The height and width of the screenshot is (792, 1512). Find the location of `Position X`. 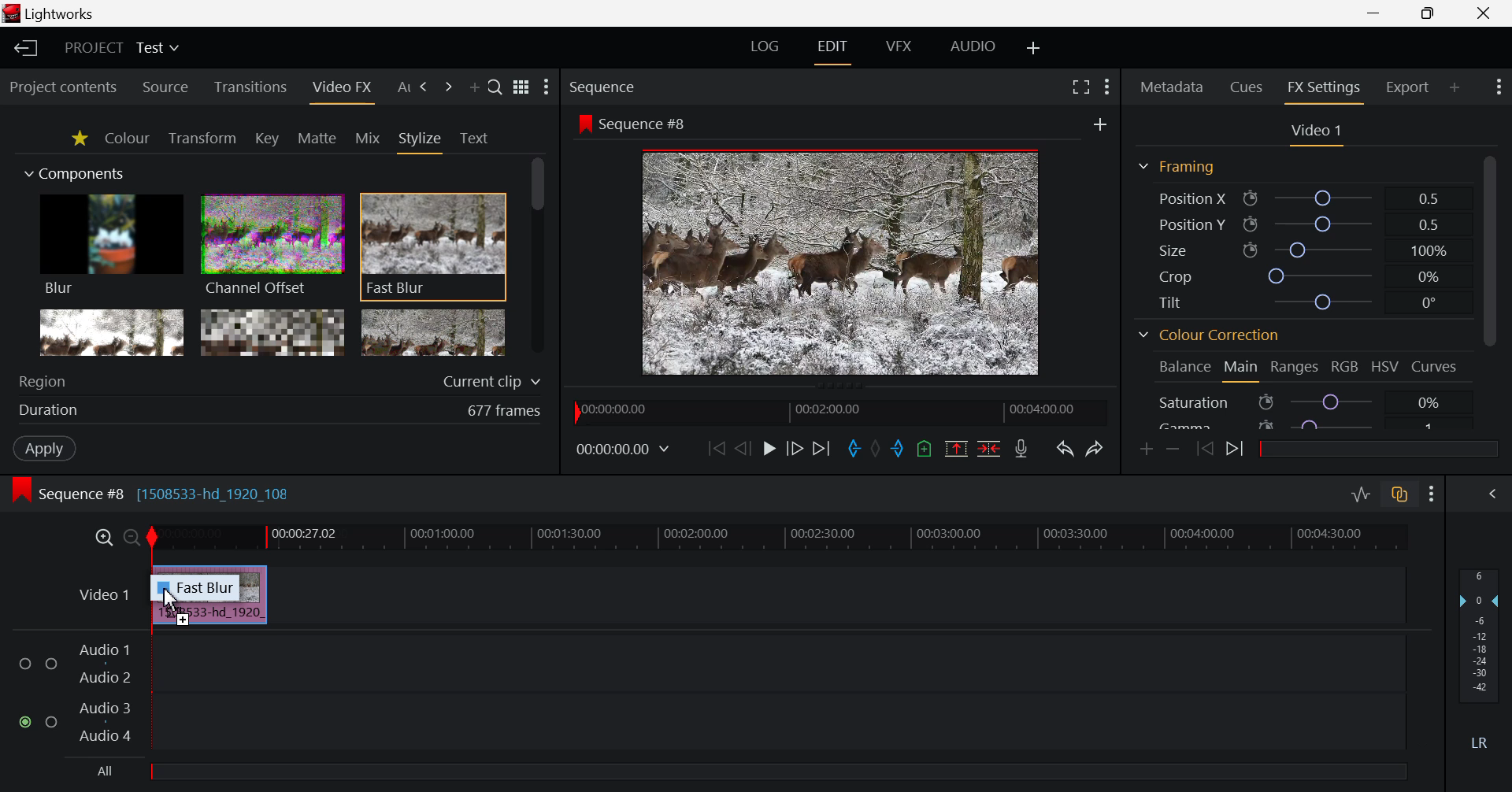

Position X is located at coordinates (1303, 198).